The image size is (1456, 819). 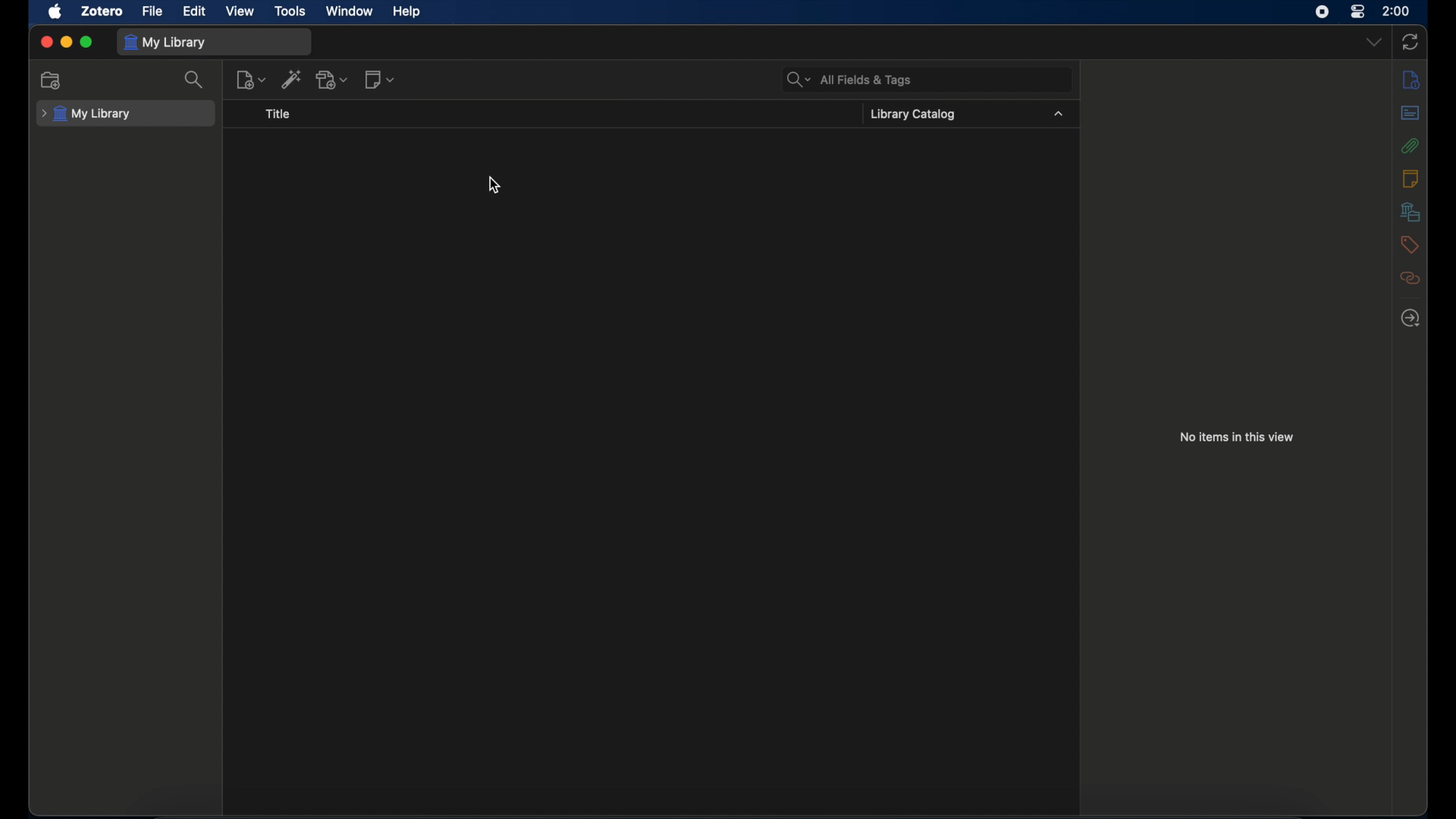 What do you see at coordinates (195, 80) in the screenshot?
I see `search` at bounding box center [195, 80].